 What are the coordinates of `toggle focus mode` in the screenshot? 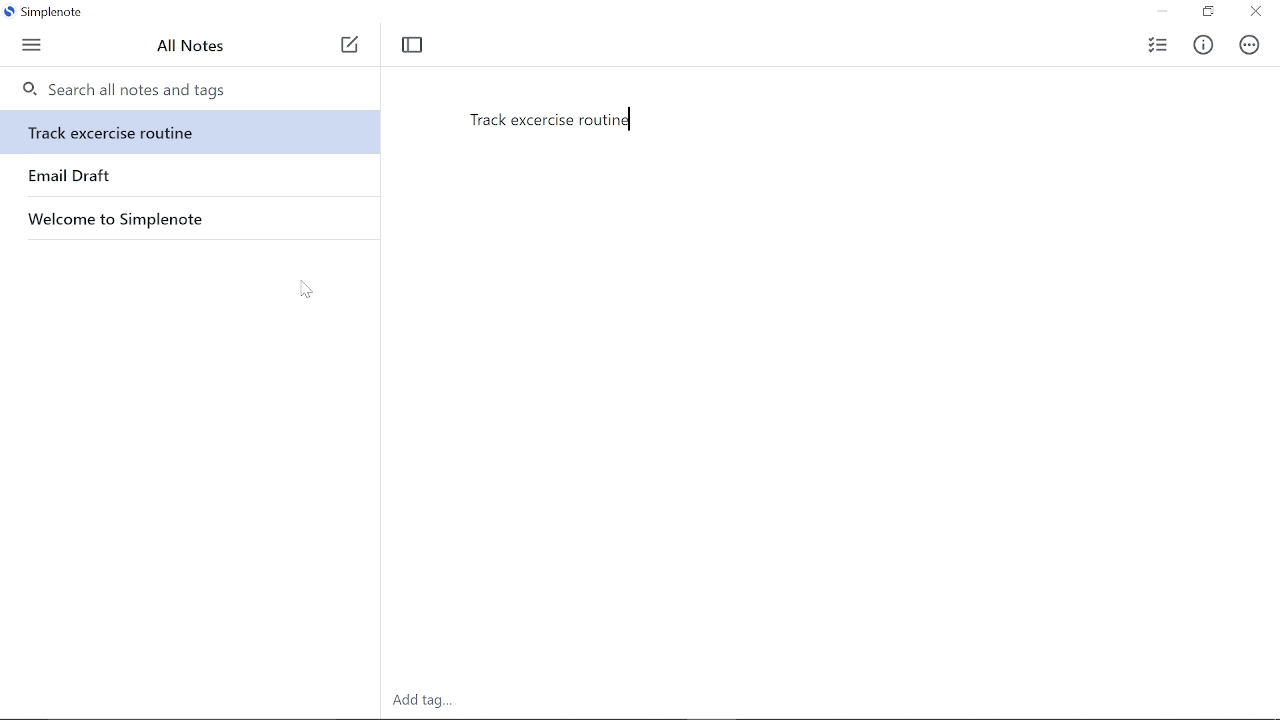 It's located at (414, 44).